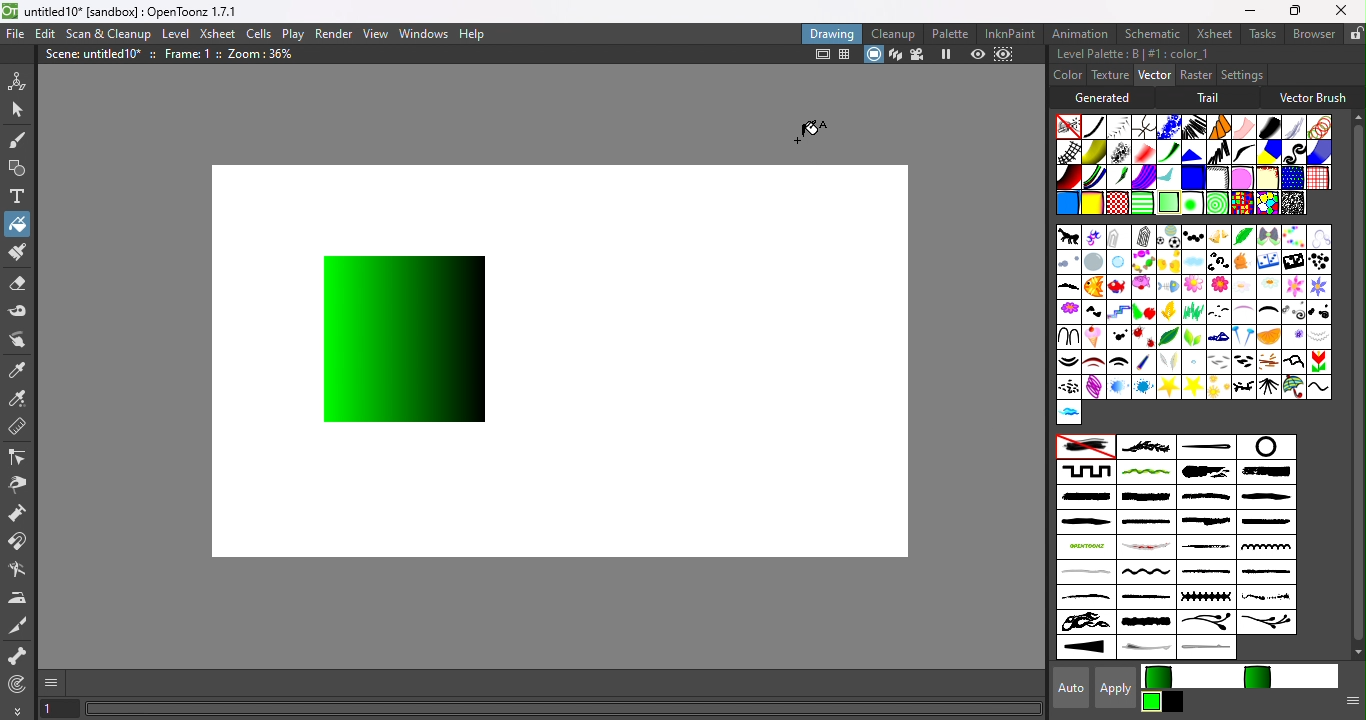 This screenshot has width=1366, height=720. Describe the element at coordinates (477, 32) in the screenshot. I see `Help` at that location.